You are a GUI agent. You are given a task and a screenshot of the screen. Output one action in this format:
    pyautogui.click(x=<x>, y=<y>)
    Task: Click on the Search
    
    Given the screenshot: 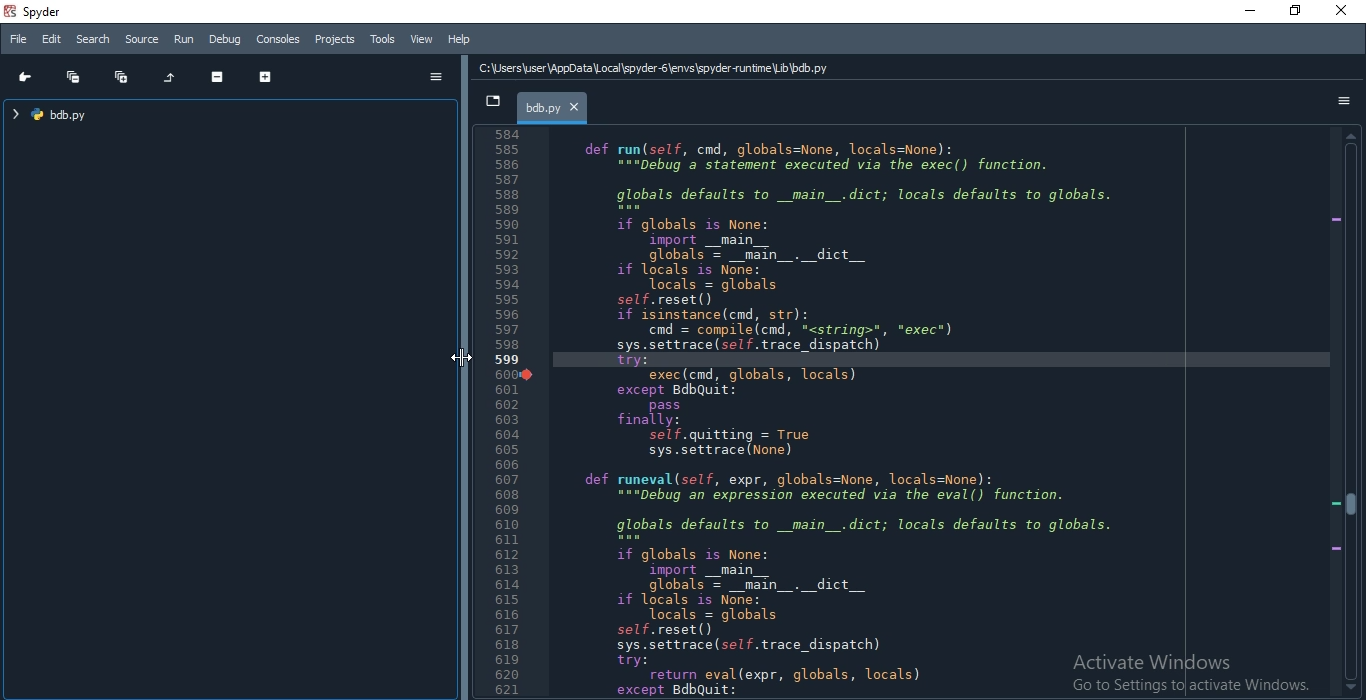 What is the action you would take?
    pyautogui.click(x=94, y=39)
    